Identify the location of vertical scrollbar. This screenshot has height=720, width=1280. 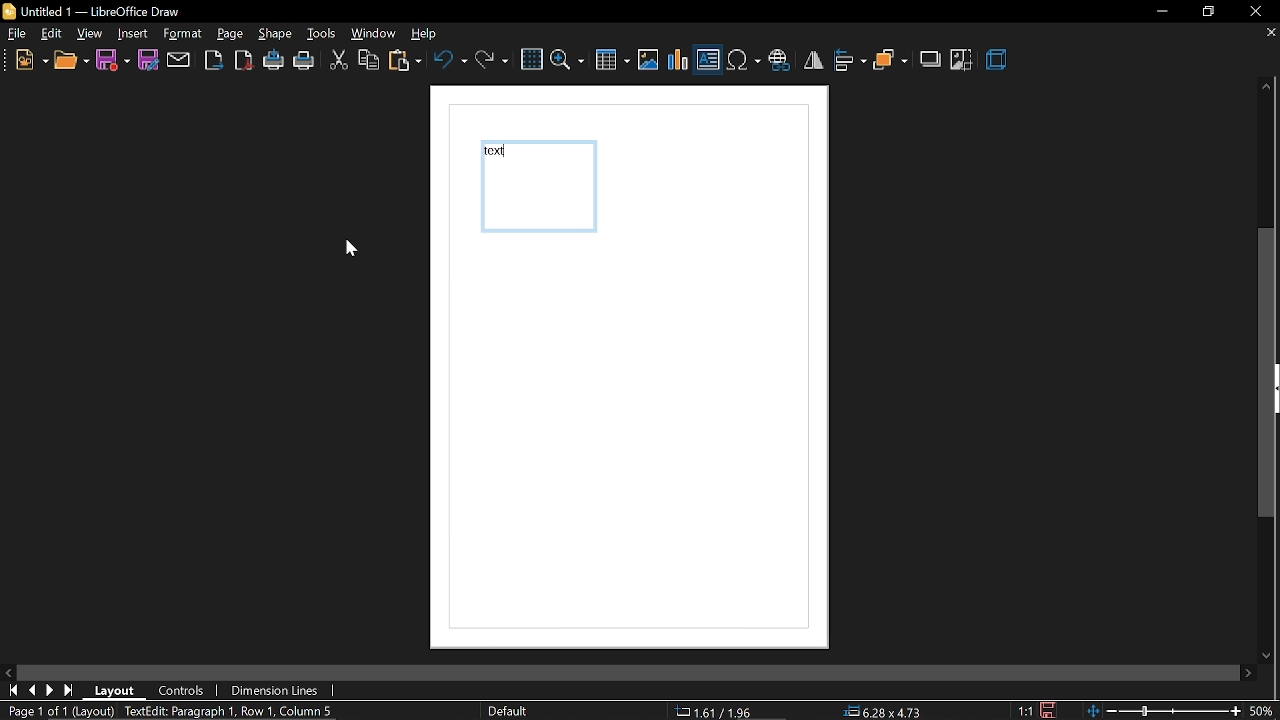
(1268, 373).